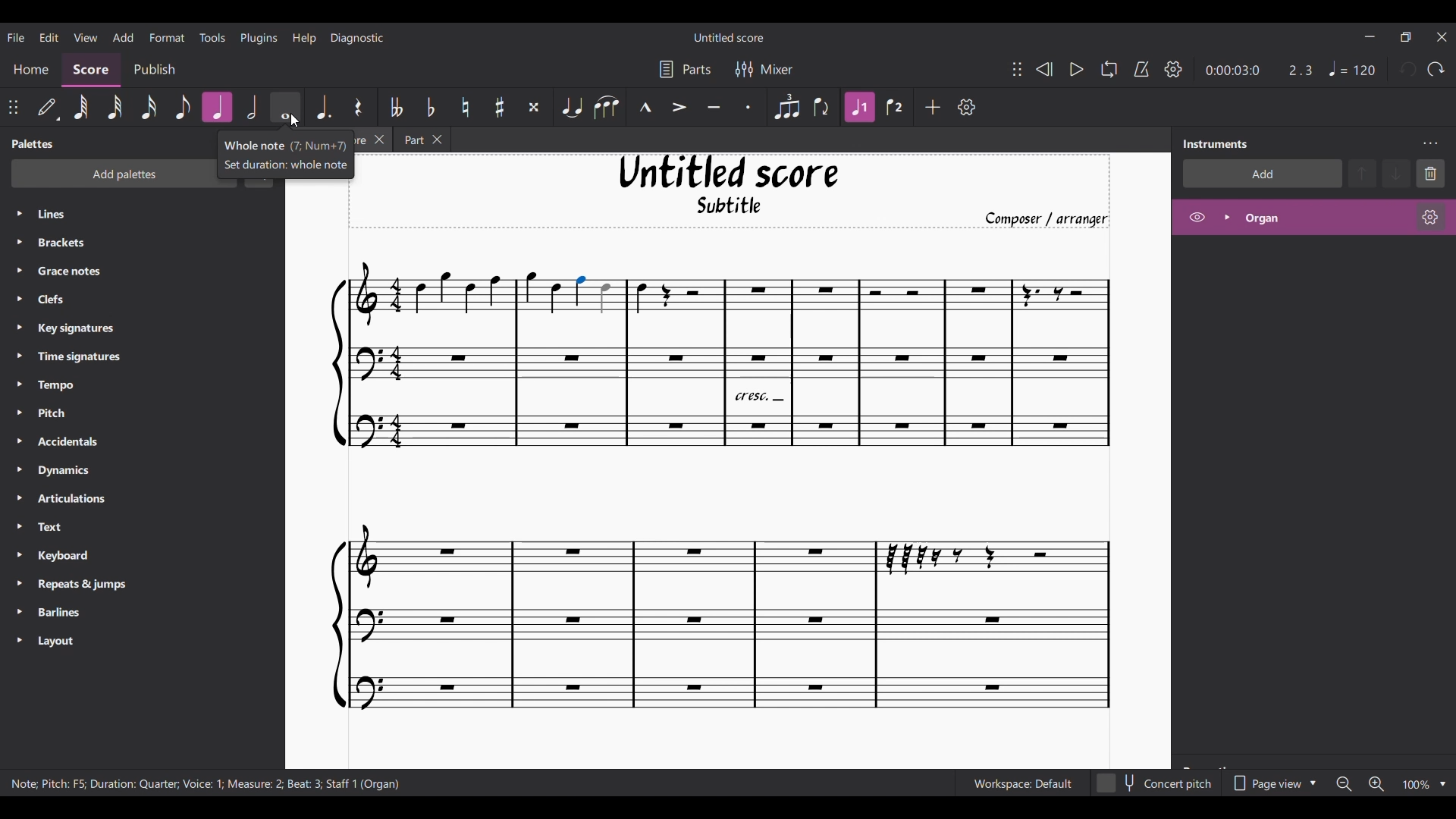 This screenshot has width=1456, height=819. What do you see at coordinates (607, 107) in the screenshot?
I see `Slur` at bounding box center [607, 107].